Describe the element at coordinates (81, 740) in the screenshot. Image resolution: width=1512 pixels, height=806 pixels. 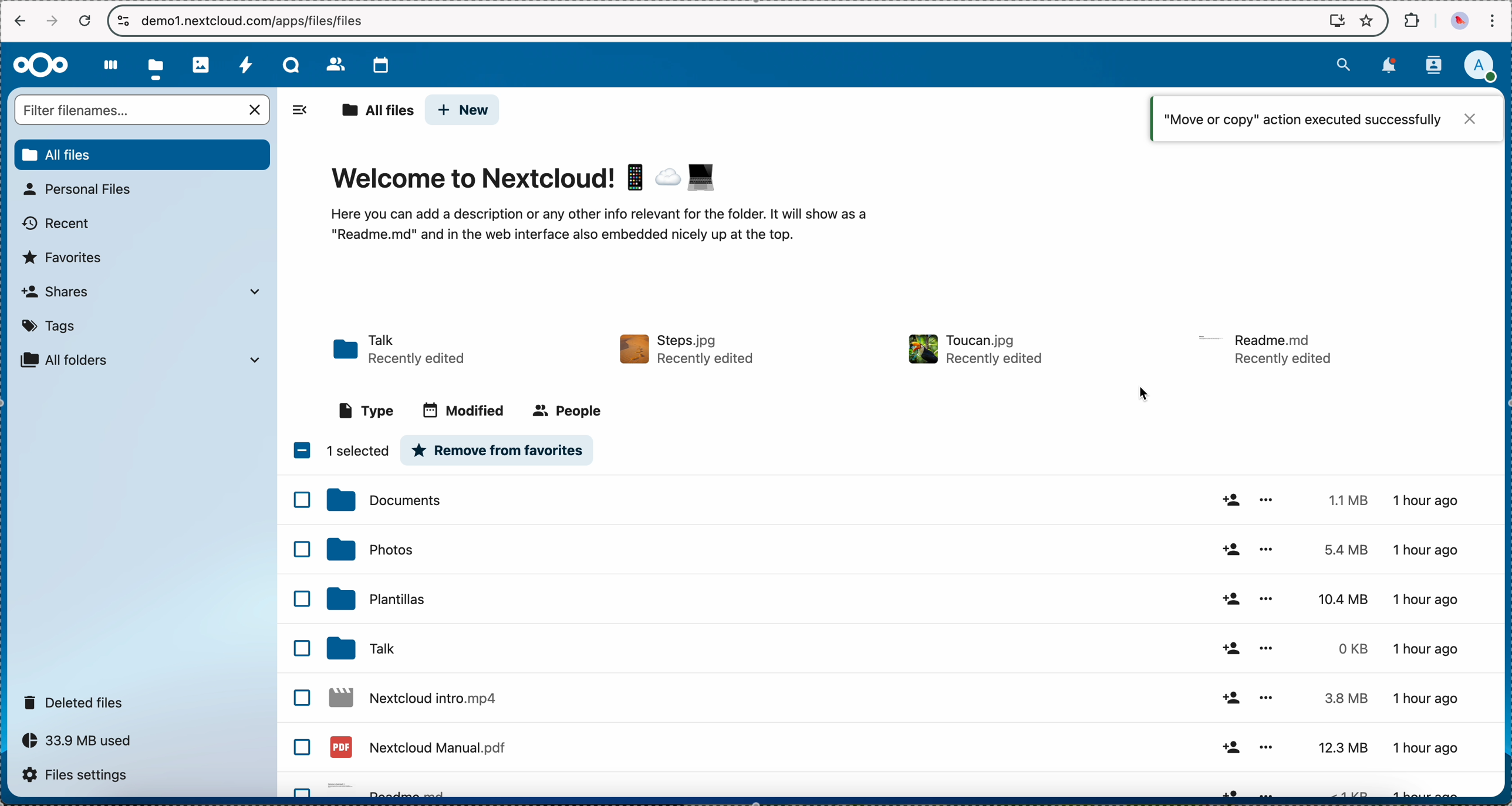
I see `33.9 MB used` at that location.